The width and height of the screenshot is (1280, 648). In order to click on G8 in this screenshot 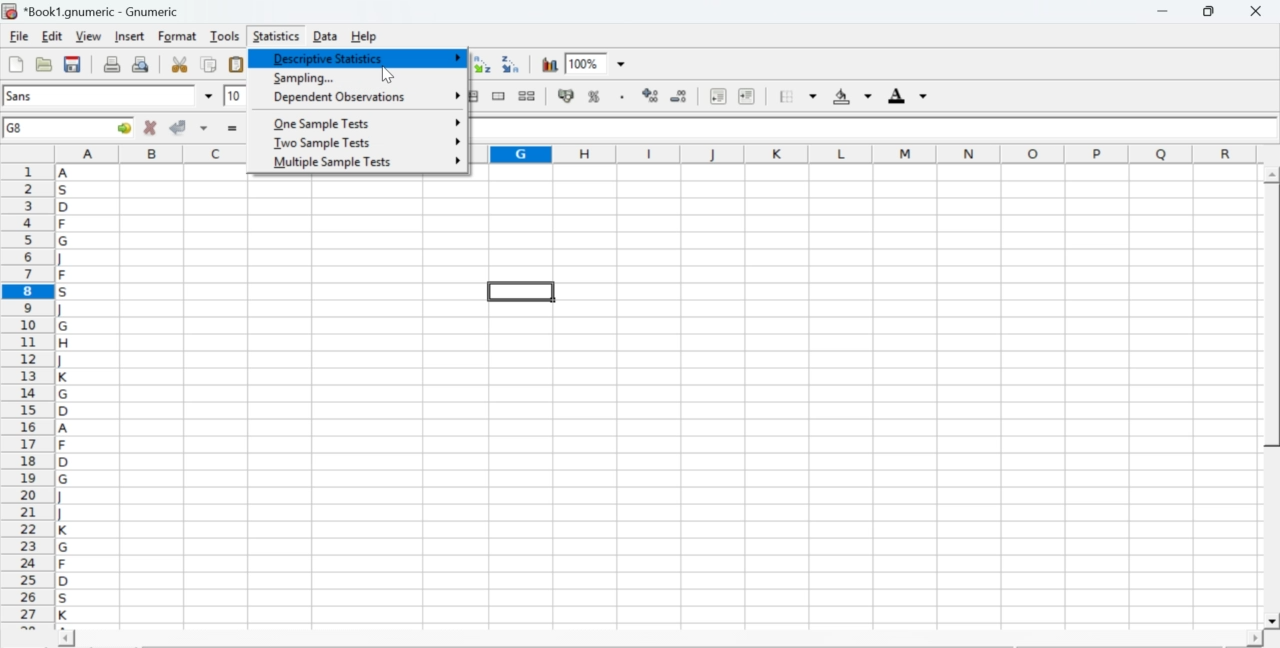, I will do `click(17, 128)`.